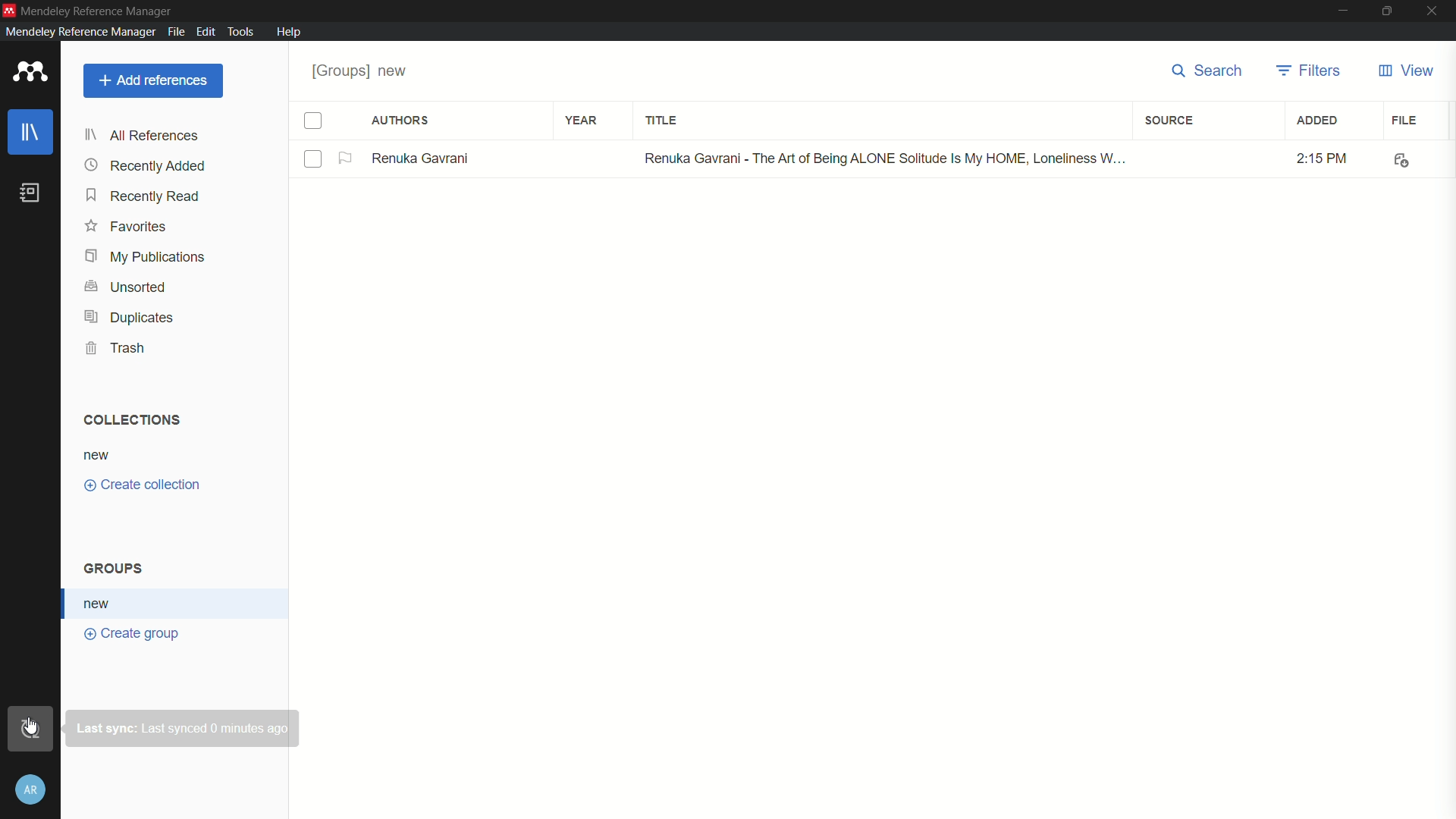  Describe the element at coordinates (129, 316) in the screenshot. I see `duplicates` at that location.